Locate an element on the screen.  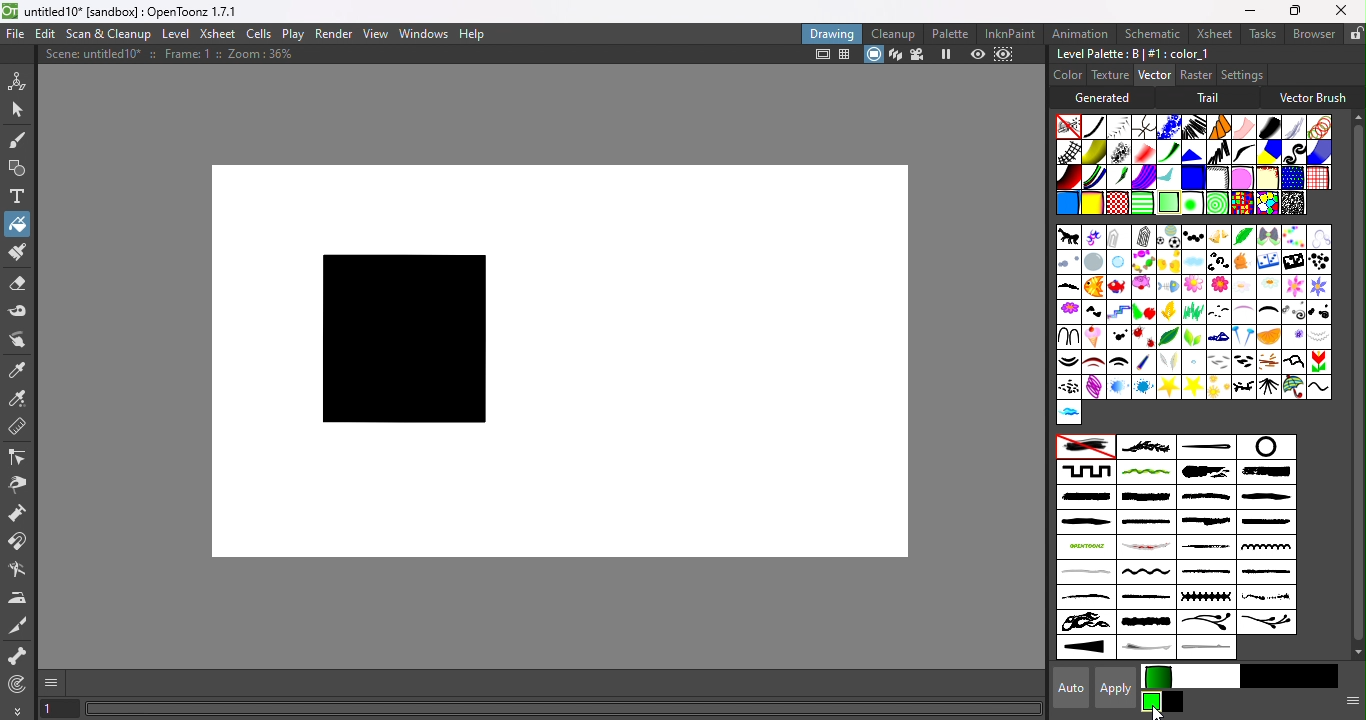
Bell is located at coordinates (1217, 237).